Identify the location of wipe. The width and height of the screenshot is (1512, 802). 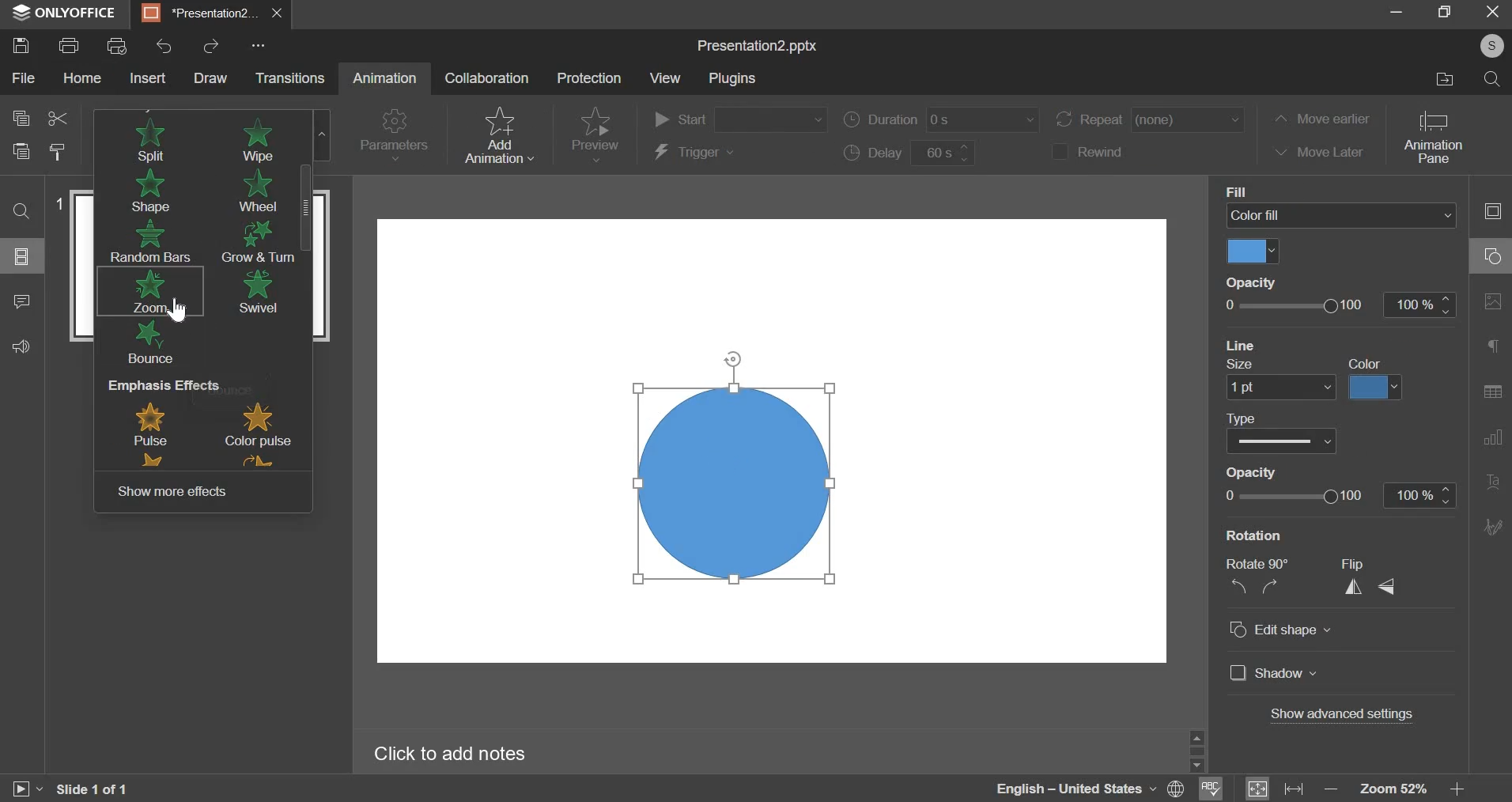
(257, 141).